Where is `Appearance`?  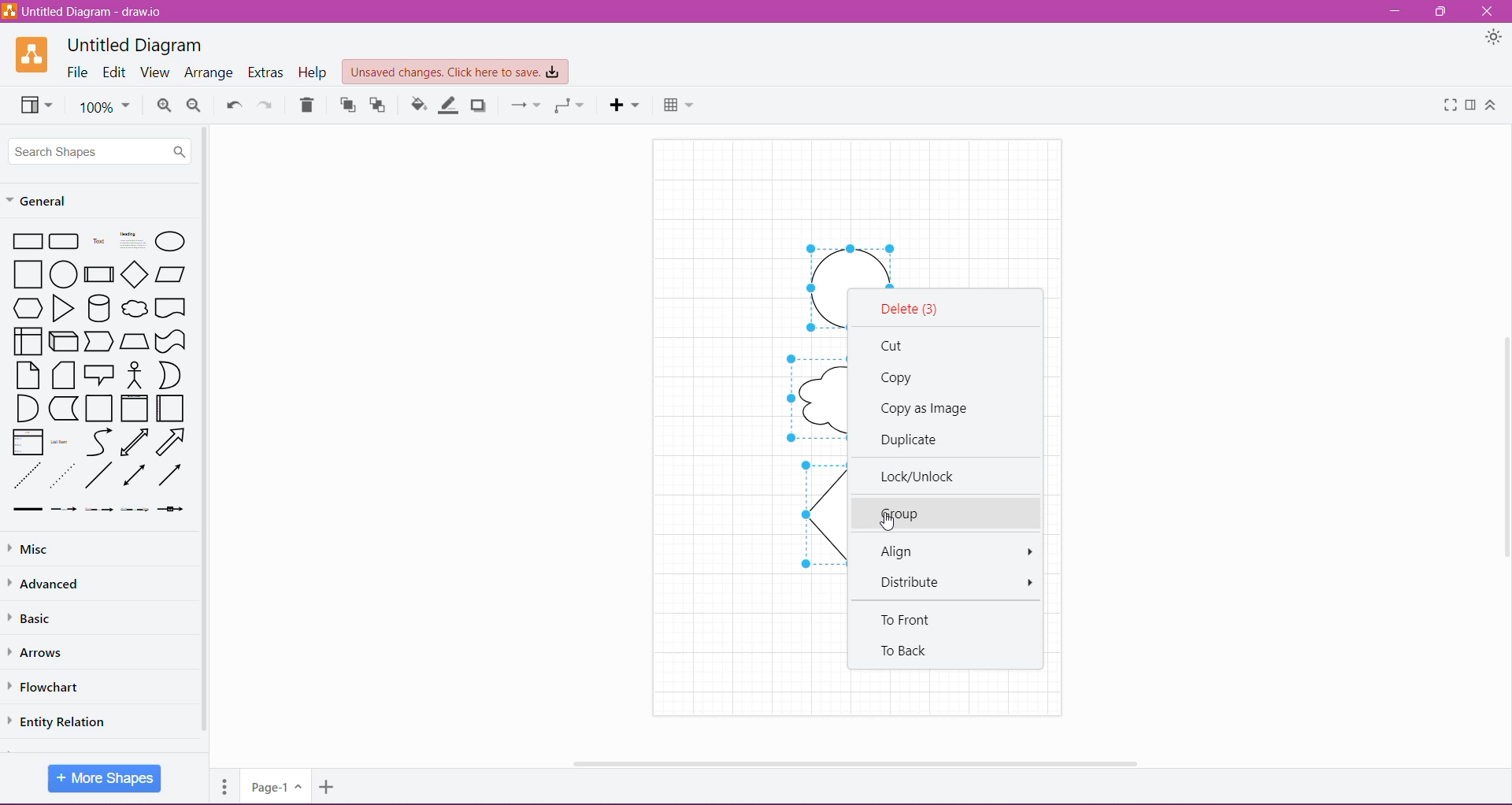 Appearance is located at coordinates (1489, 40).